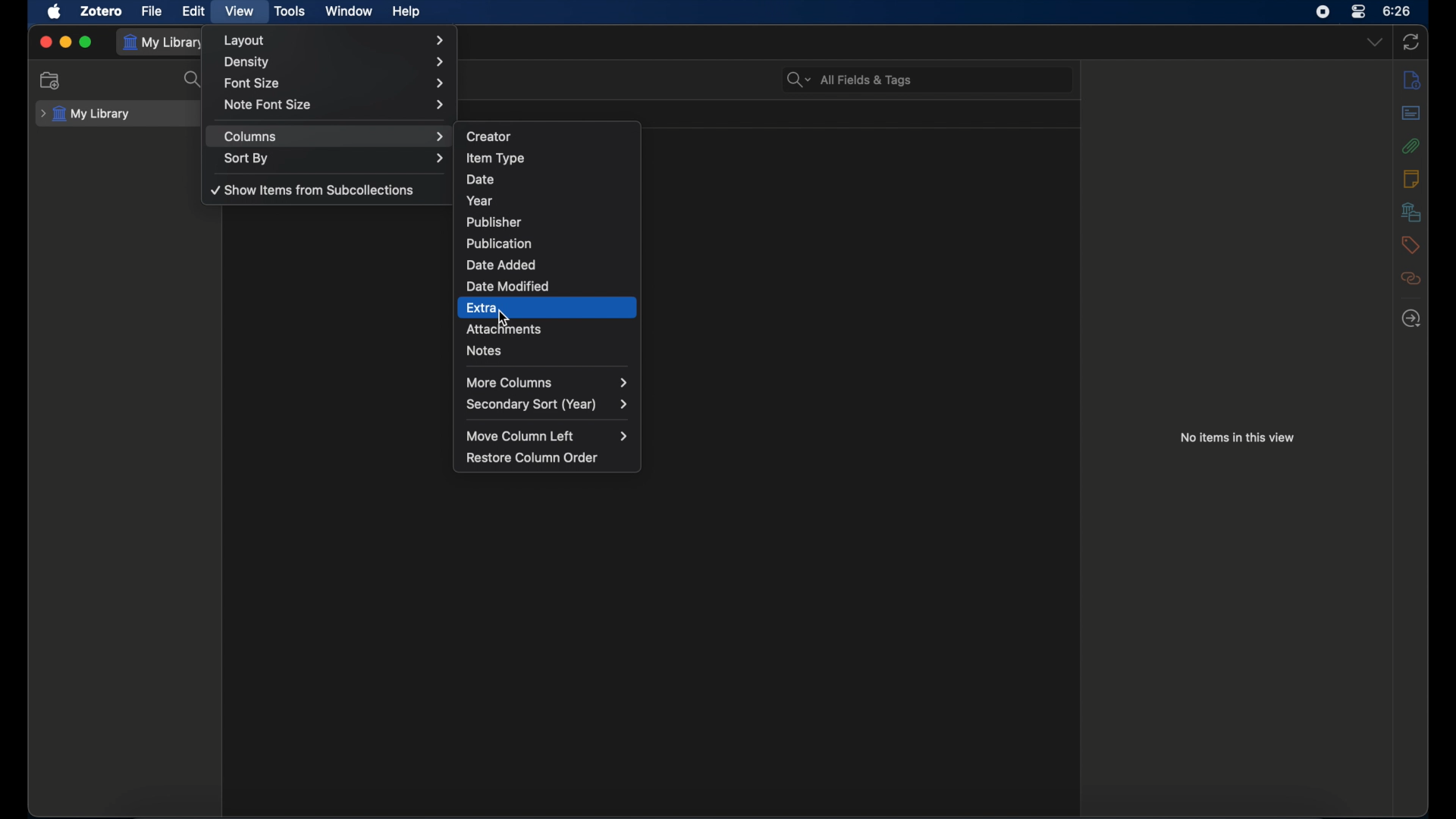 The width and height of the screenshot is (1456, 819). Describe the element at coordinates (1412, 112) in the screenshot. I see `abstract` at that location.